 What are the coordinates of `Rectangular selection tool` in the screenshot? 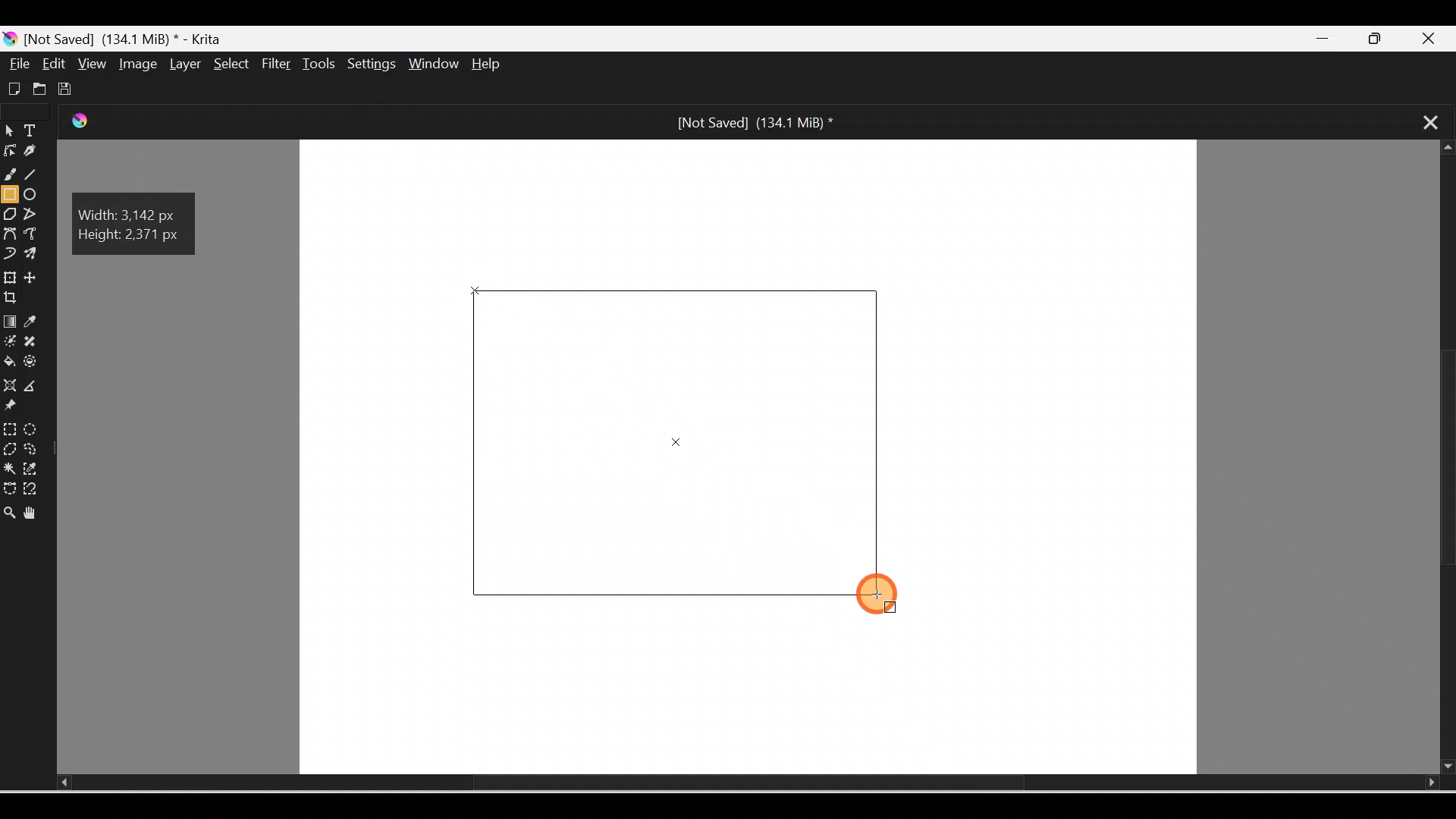 It's located at (9, 426).